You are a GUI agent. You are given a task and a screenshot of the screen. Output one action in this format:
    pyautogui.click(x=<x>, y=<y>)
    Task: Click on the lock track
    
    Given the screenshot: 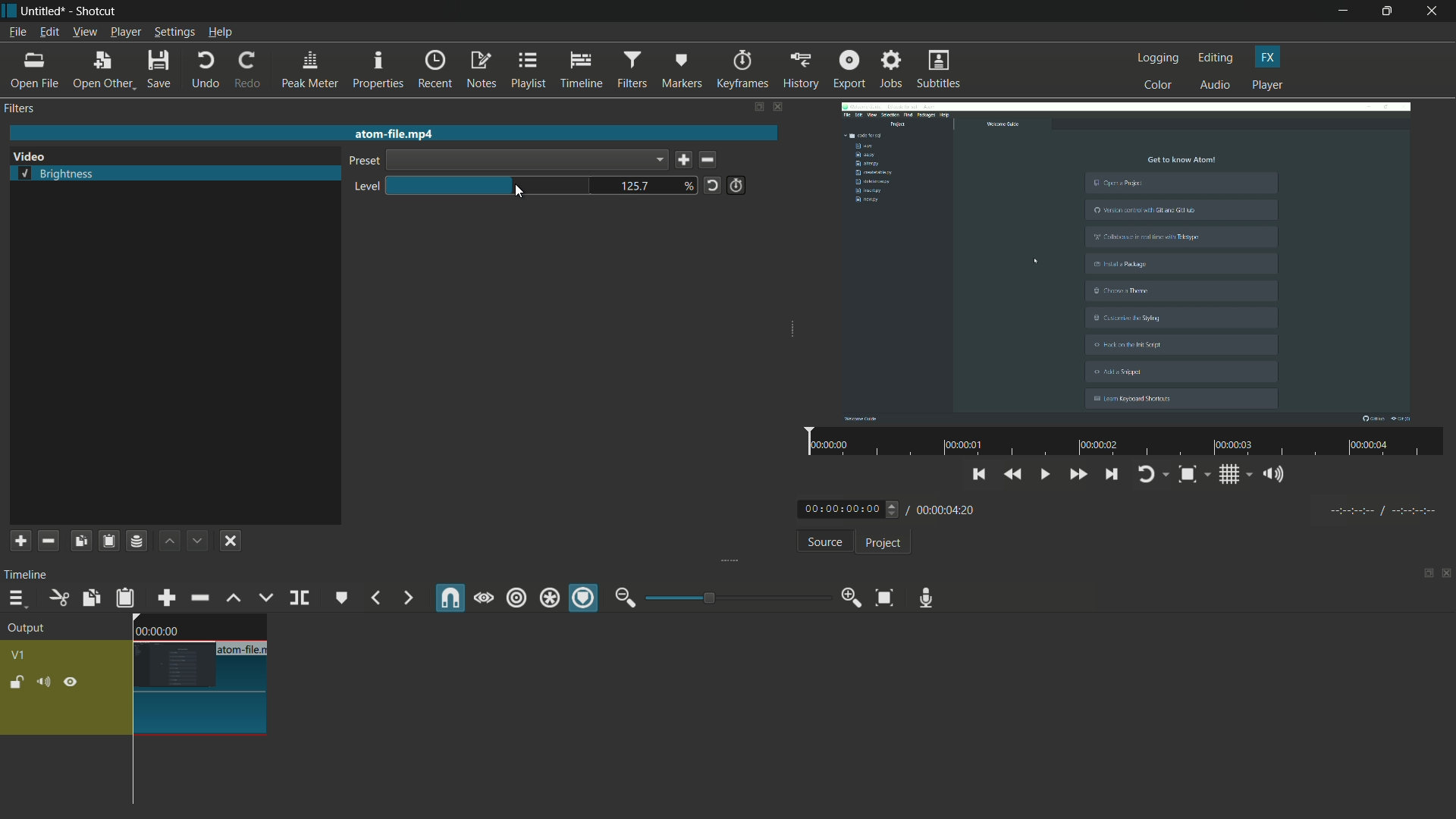 What is the action you would take?
    pyautogui.click(x=19, y=682)
    